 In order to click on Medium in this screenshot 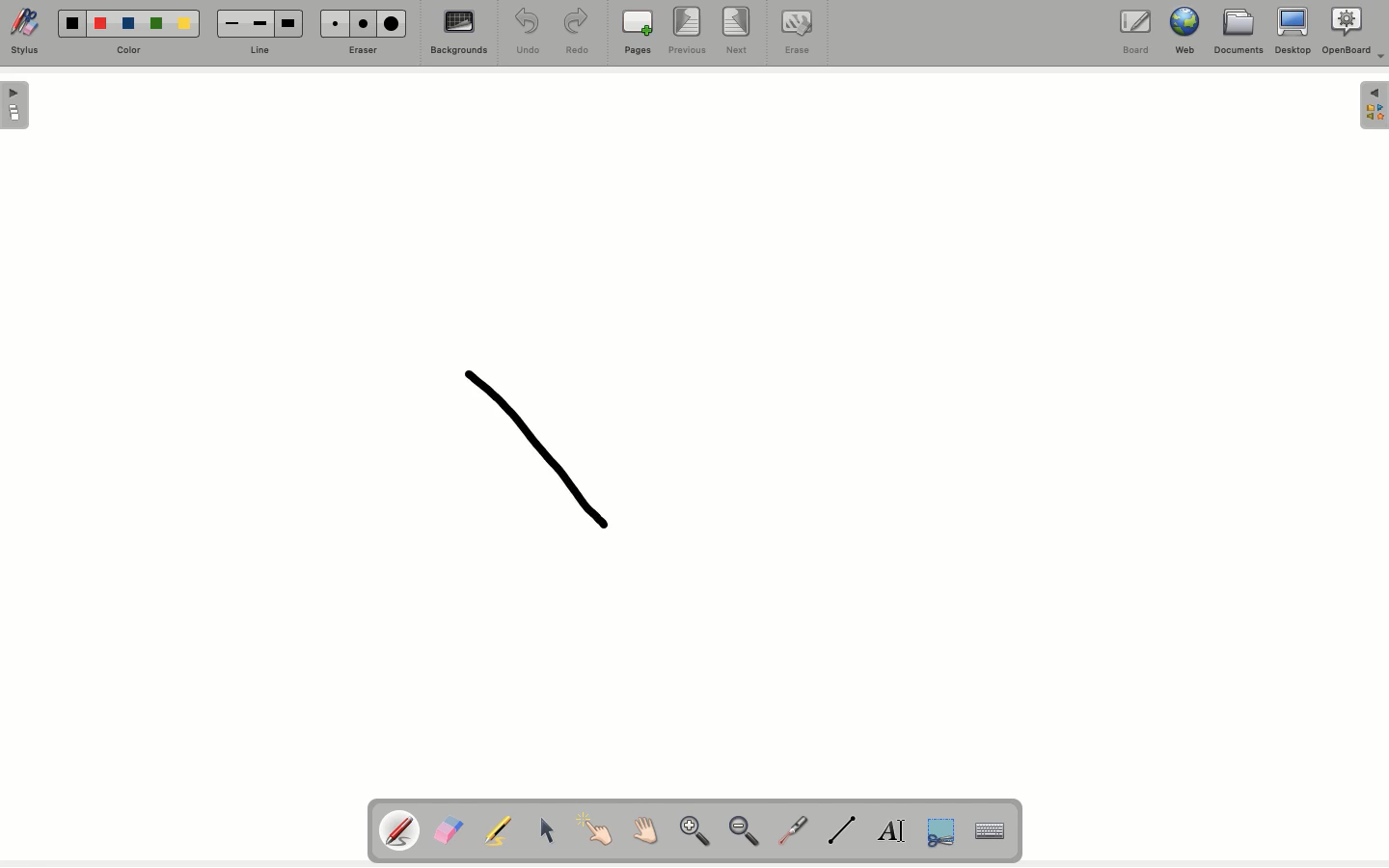, I will do `click(366, 24)`.